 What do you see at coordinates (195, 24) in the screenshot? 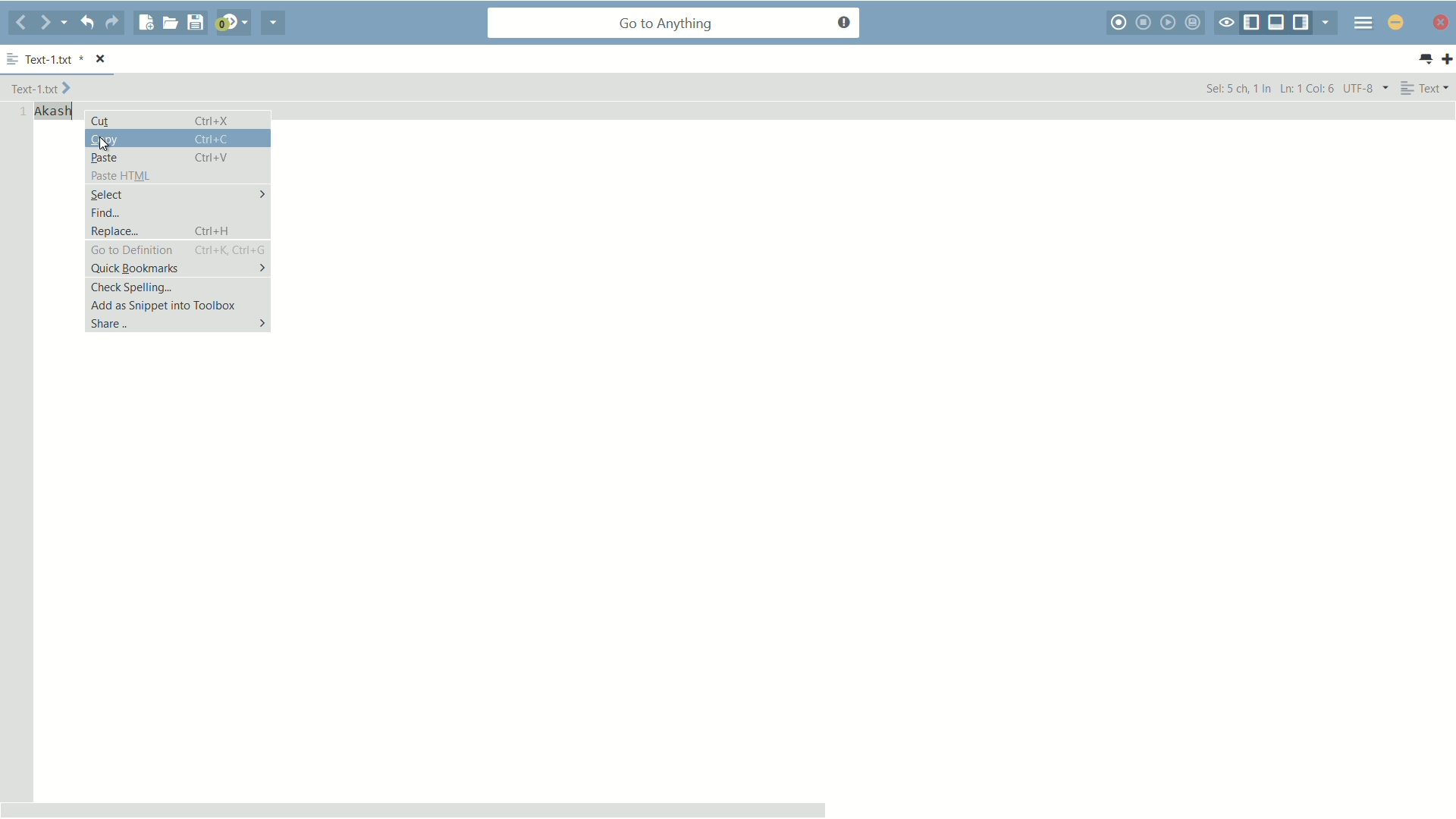
I see `save file` at bounding box center [195, 24].